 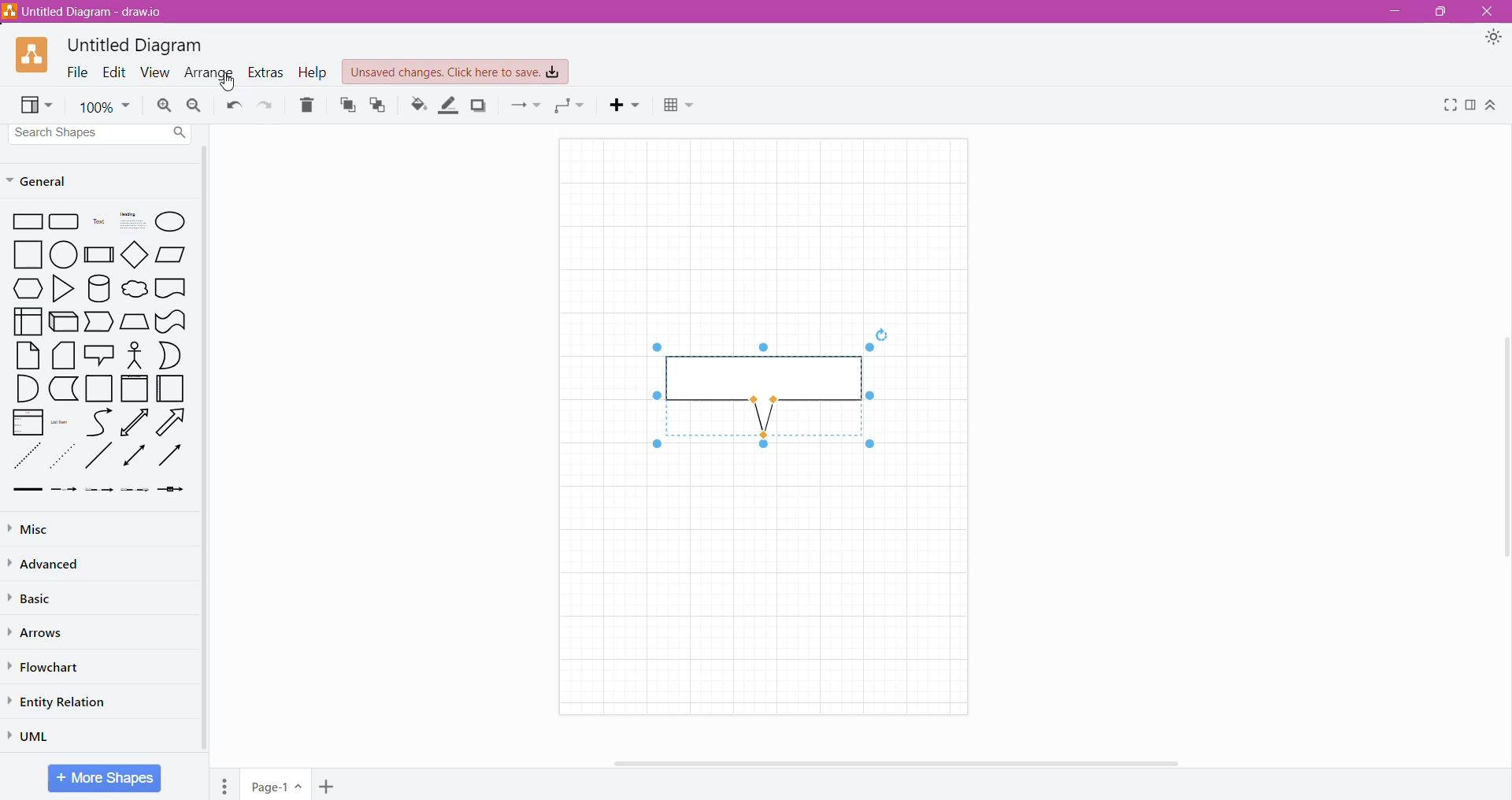 I want to click on Help, so click(x=313, y=72).